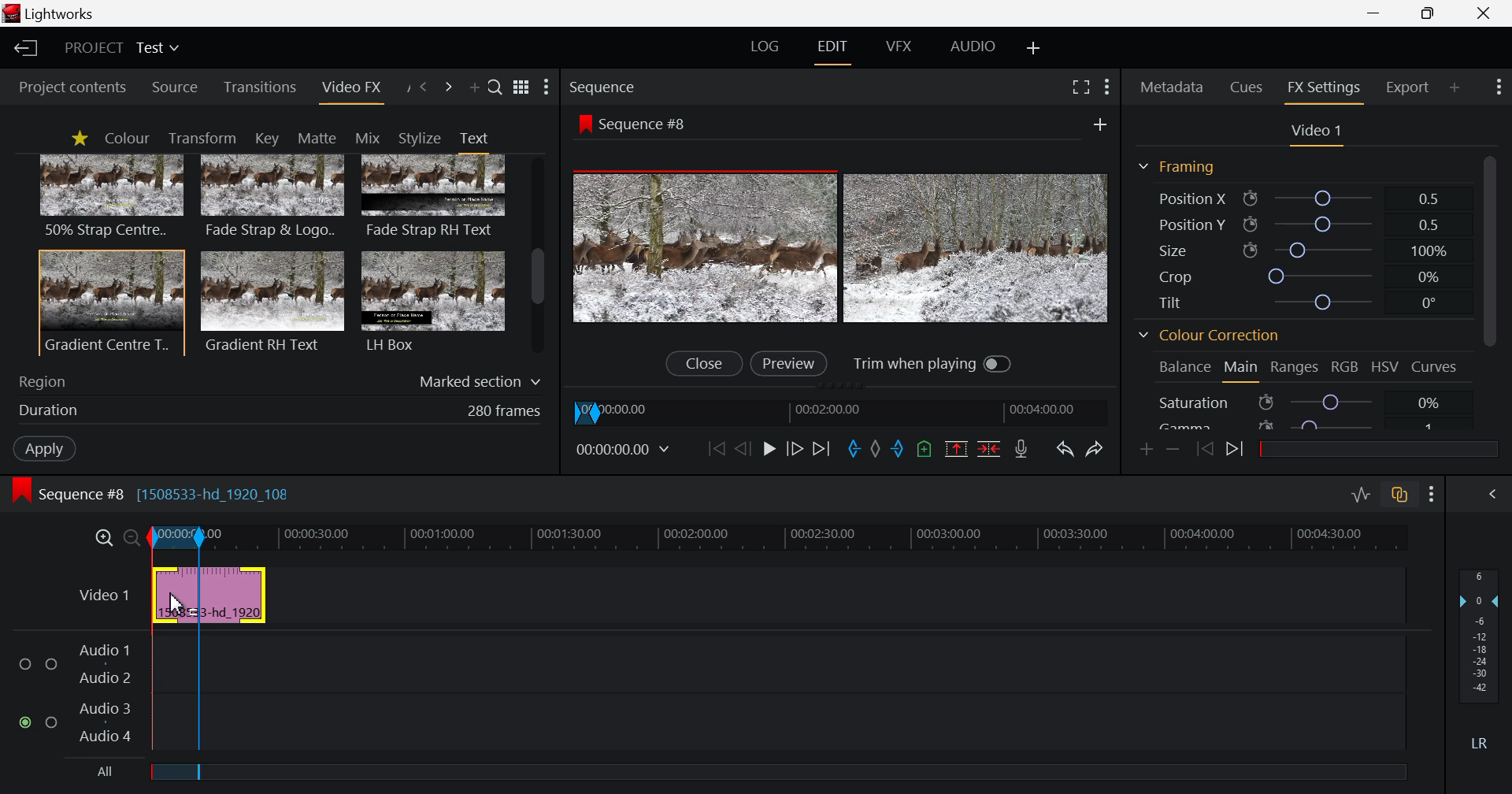  What do you see at coordinates (280, 378) in the screenshot?
I see `Region` at bounding box center [280, 378].